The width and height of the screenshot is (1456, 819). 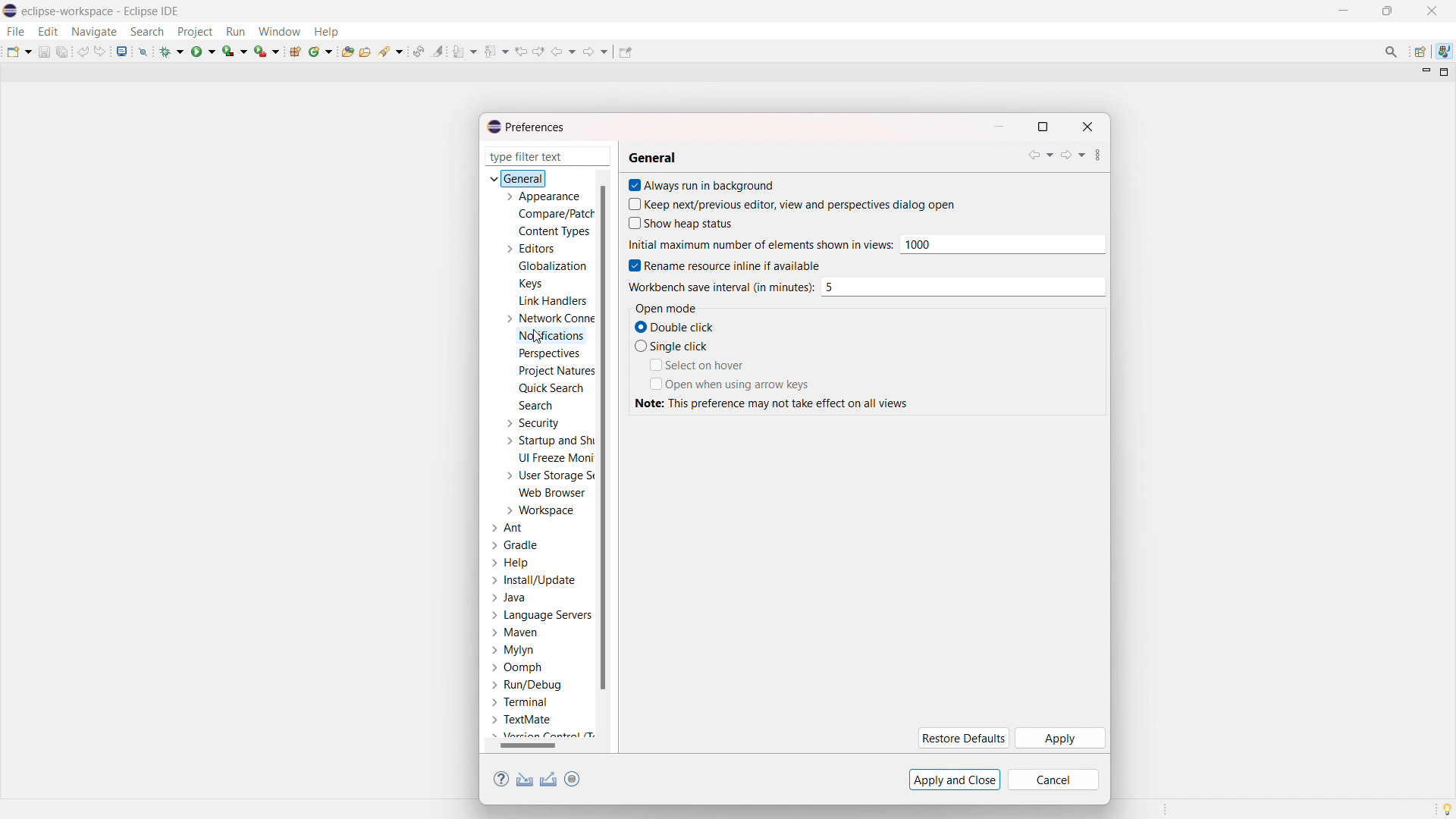 I want to click on access commands and other items, so click(x=1392, y=52).